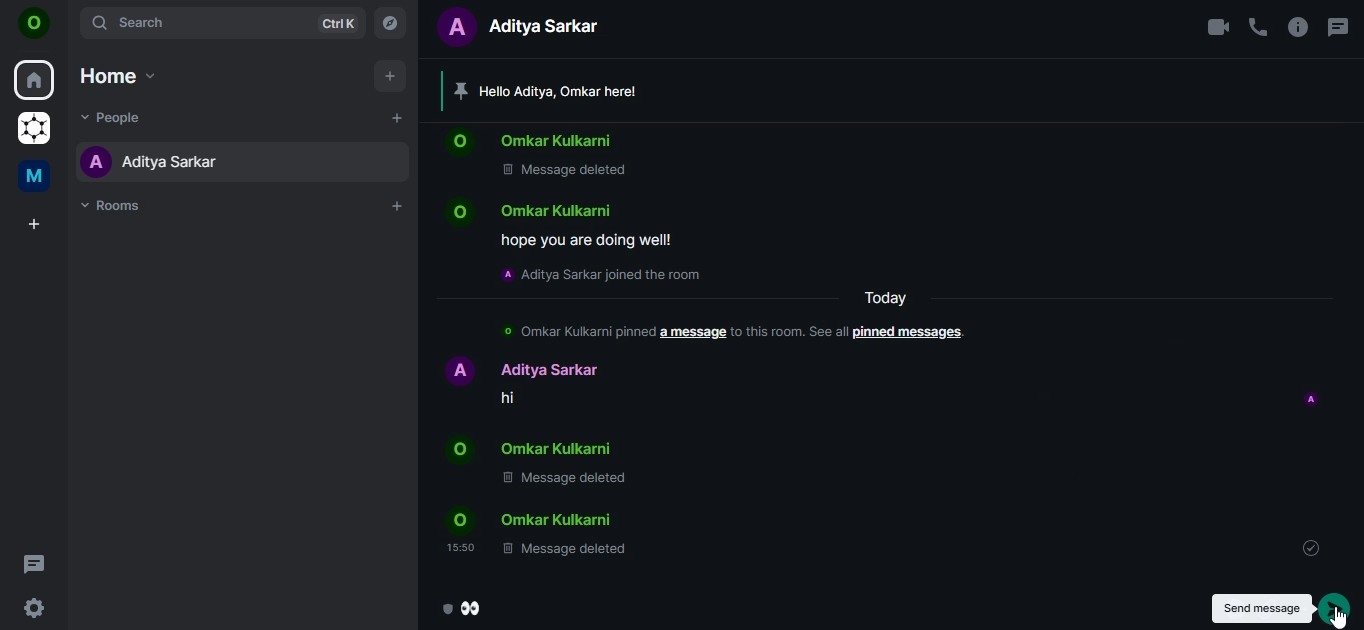 The width and height of the screenshot is (1364, 630). What do you see at coordinates (1312, 399) in the screenshot?
I see `profile` at bounding box center [1312, 399].